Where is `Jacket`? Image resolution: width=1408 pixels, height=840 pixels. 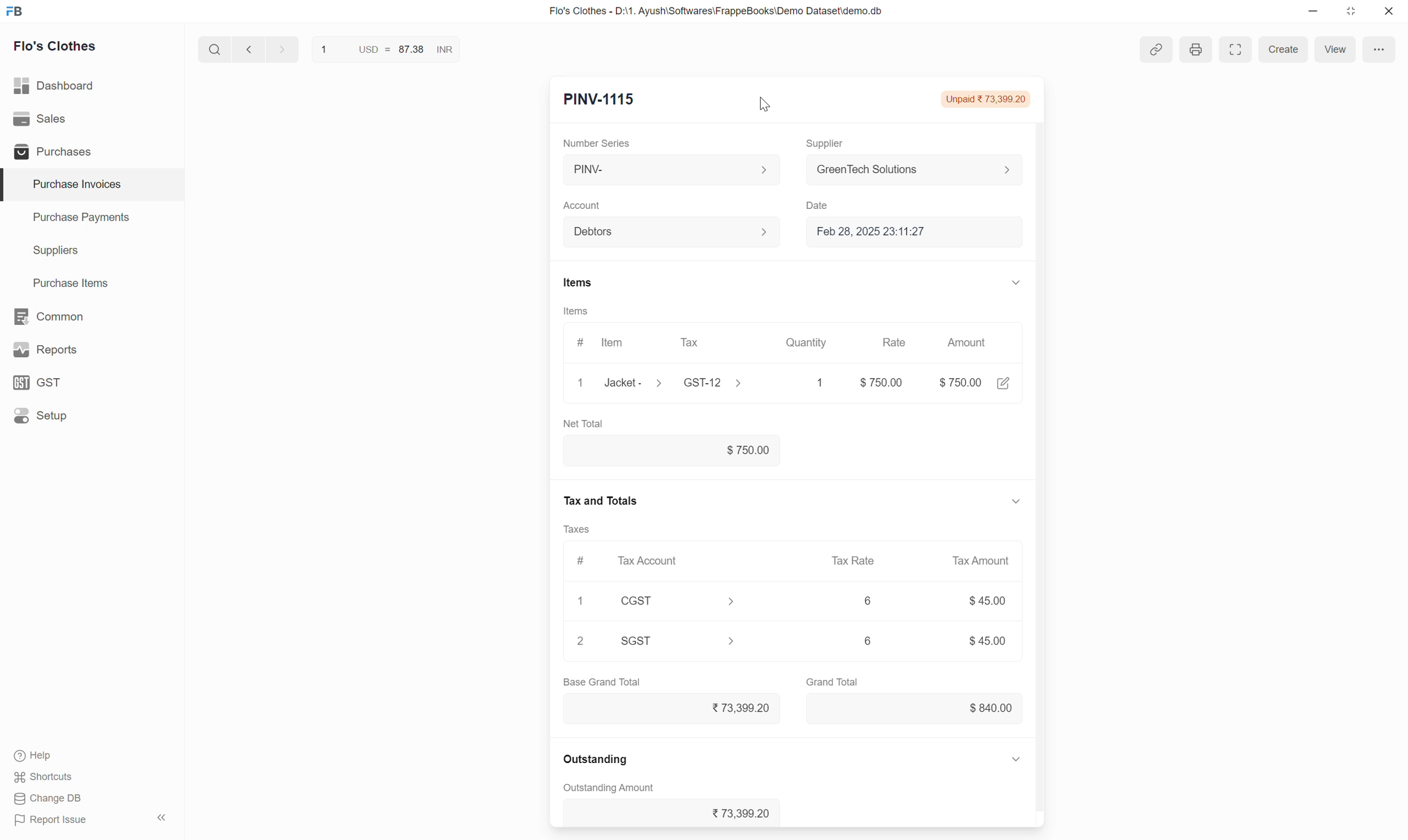
Jacket is located at coordinates (619, 383).